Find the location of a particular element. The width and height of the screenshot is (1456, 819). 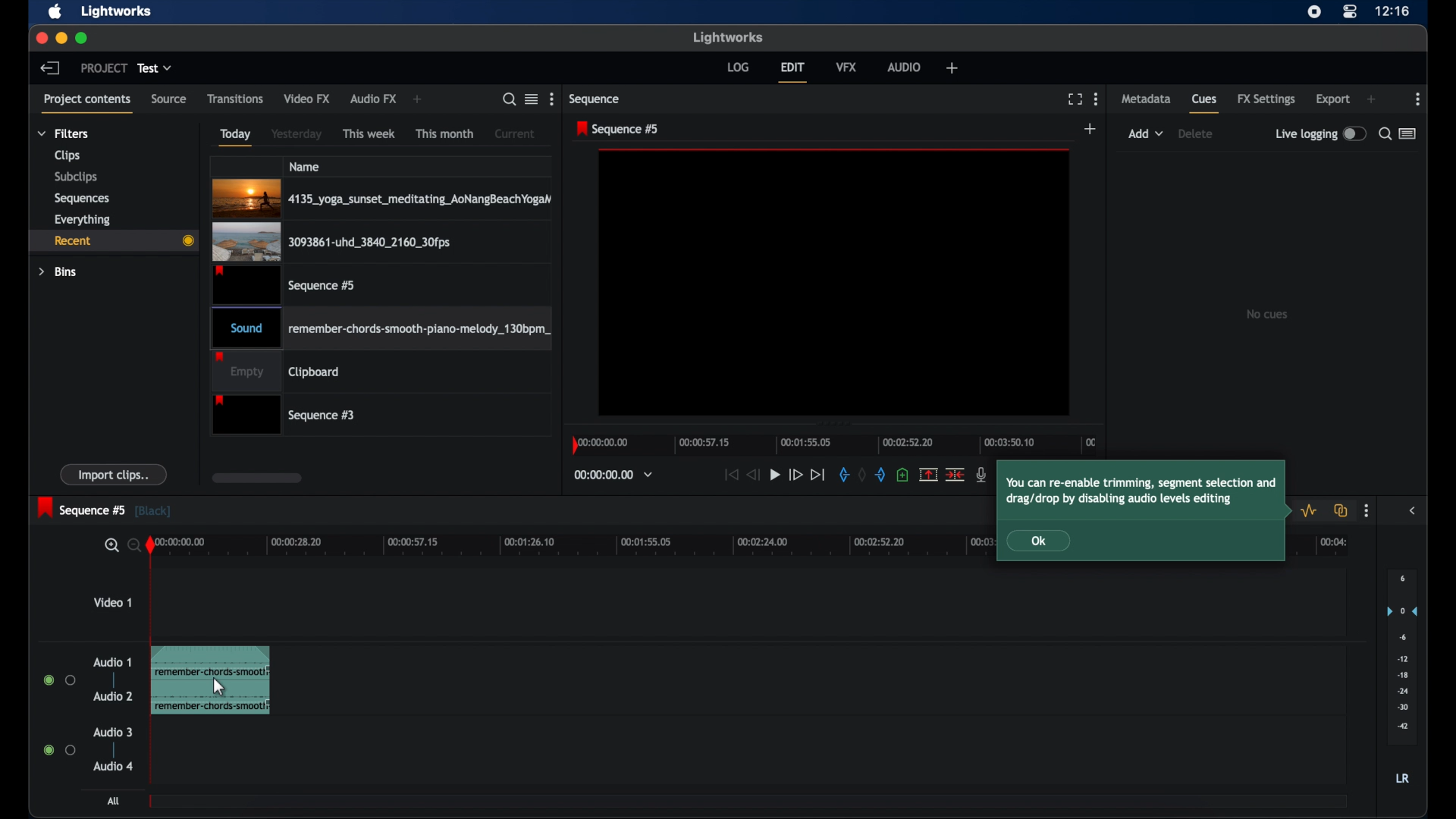

radio buttons is located at coordinates (60, 680).